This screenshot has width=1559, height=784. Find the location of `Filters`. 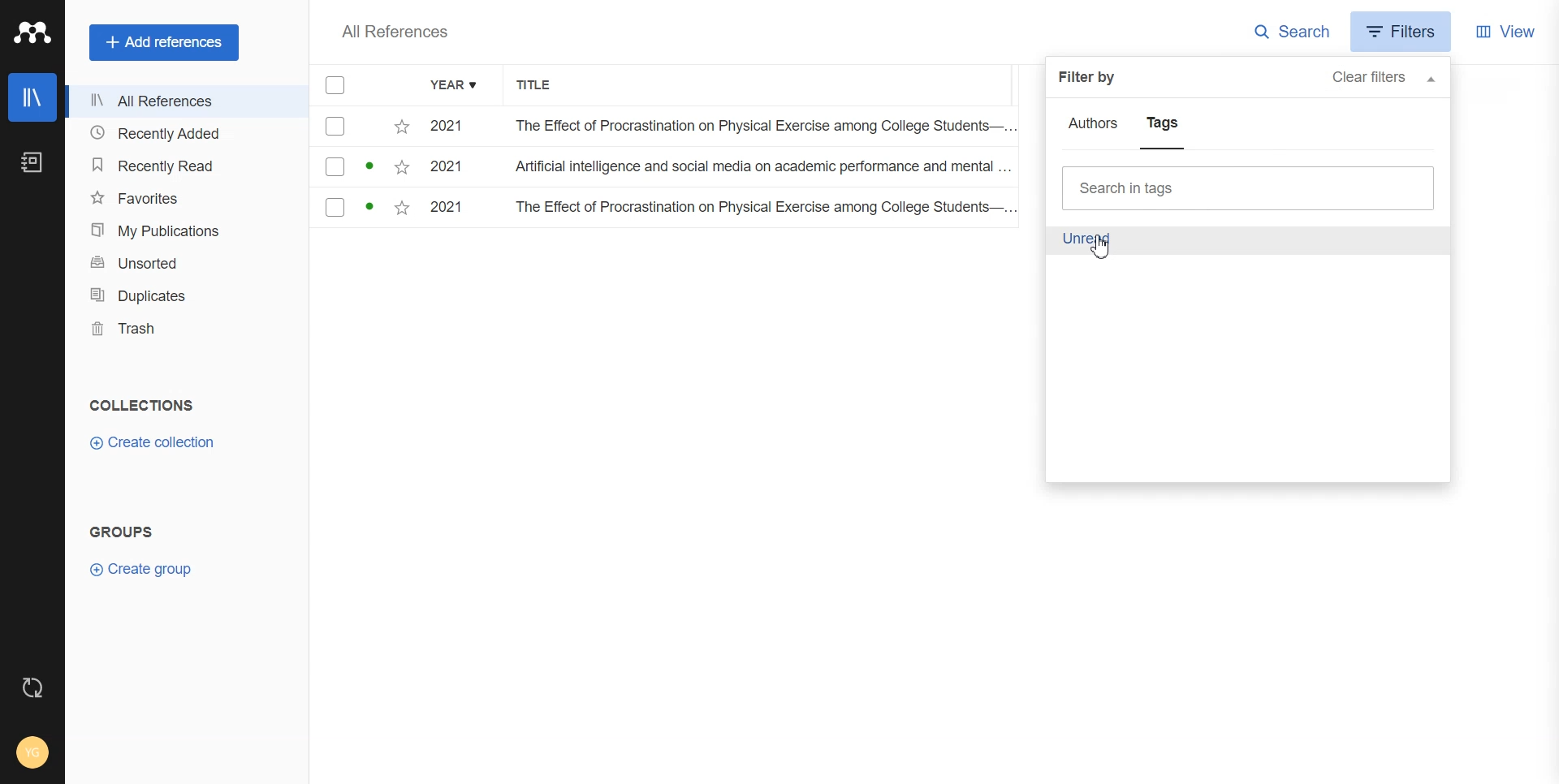

Filters is located at coordinates (1404, 31).